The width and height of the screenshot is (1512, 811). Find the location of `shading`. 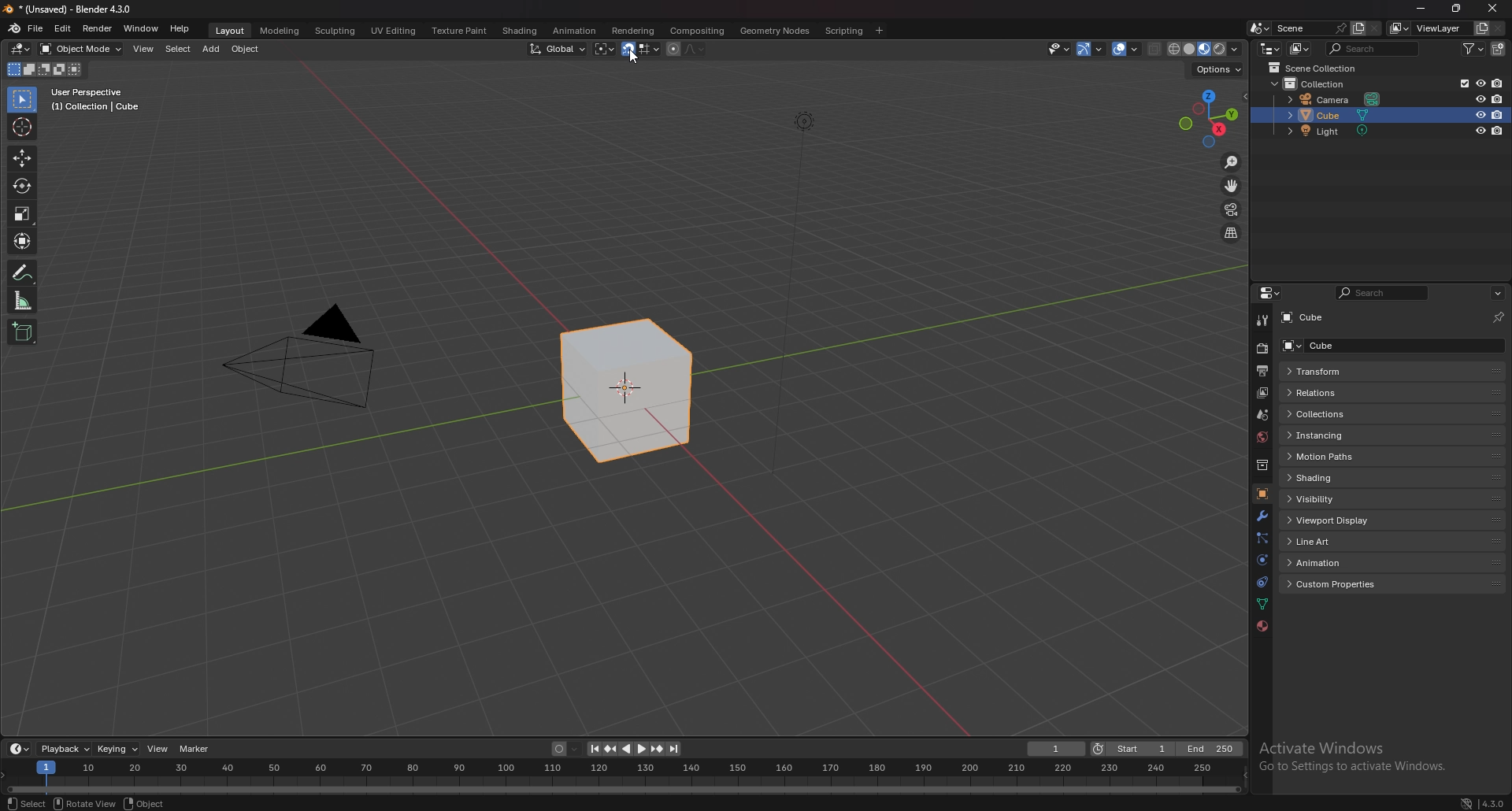

shading is located at coordinates (1340, 477).